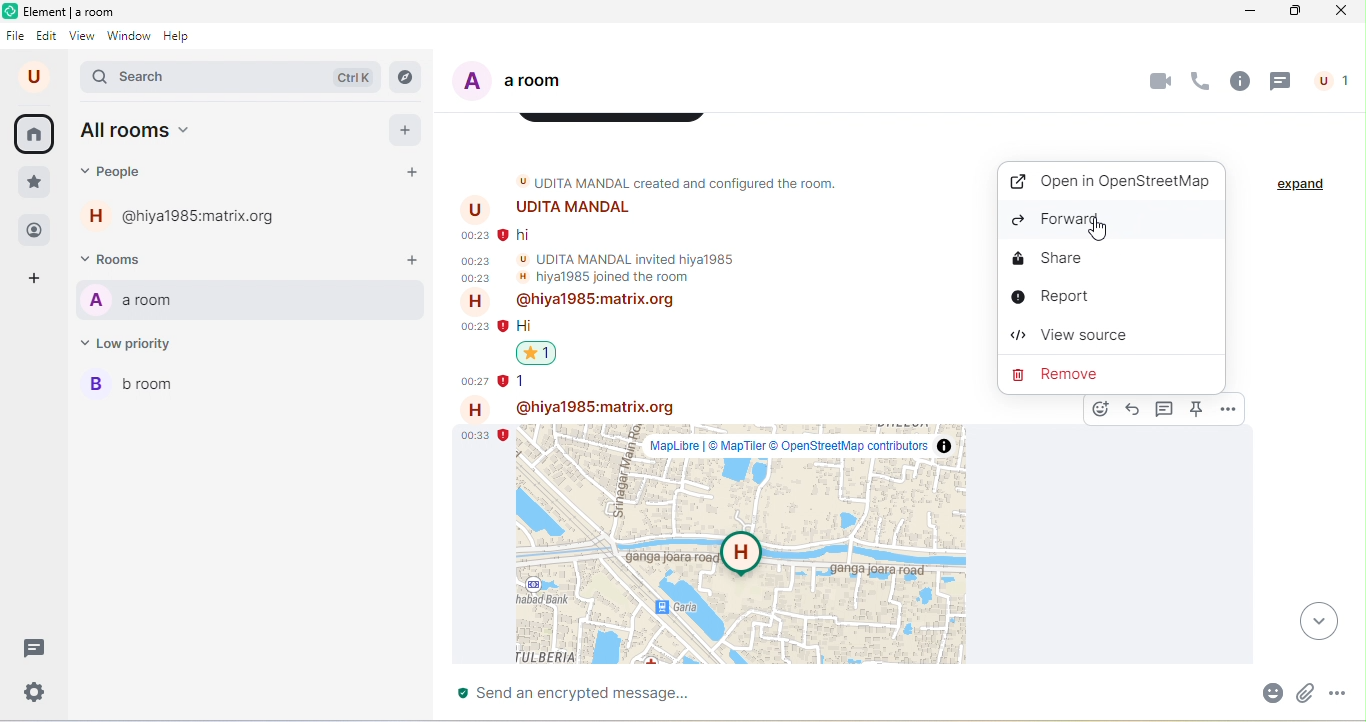 The width and height of the screenshot is (1366, 722). I want to click on open in OpenStreetMap, so click(1108, 184).